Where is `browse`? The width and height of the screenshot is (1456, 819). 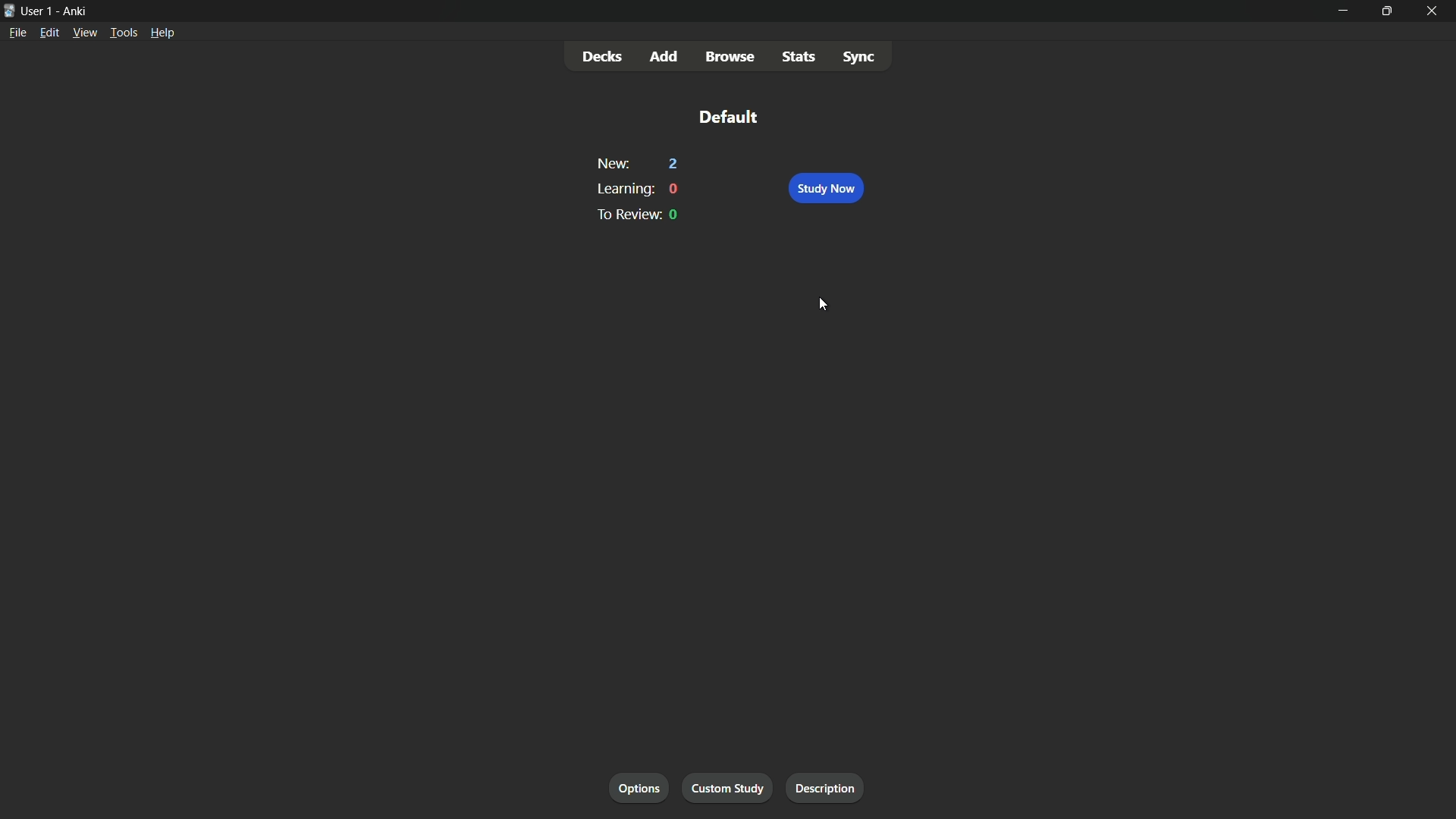
browse is located at coordinates (729, 58).